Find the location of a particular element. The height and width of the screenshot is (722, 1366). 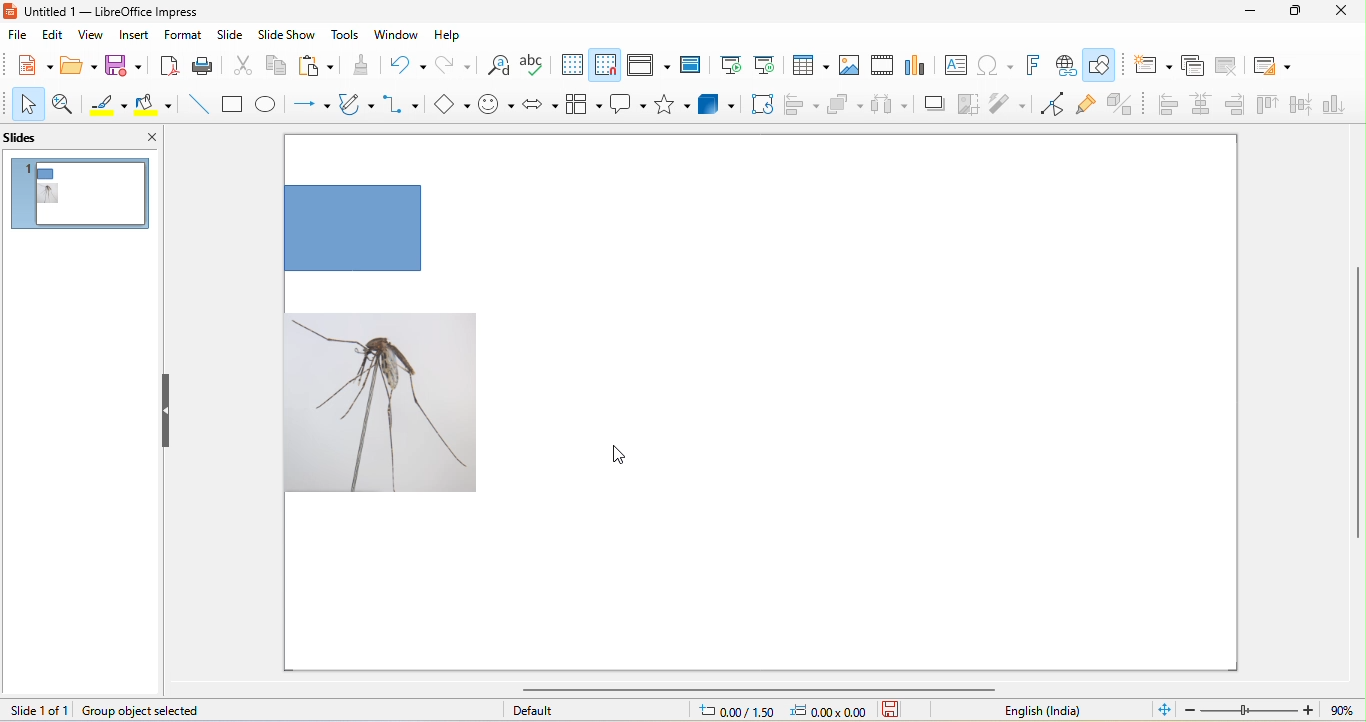

curve and polygon is located at coordinates (357, 106).